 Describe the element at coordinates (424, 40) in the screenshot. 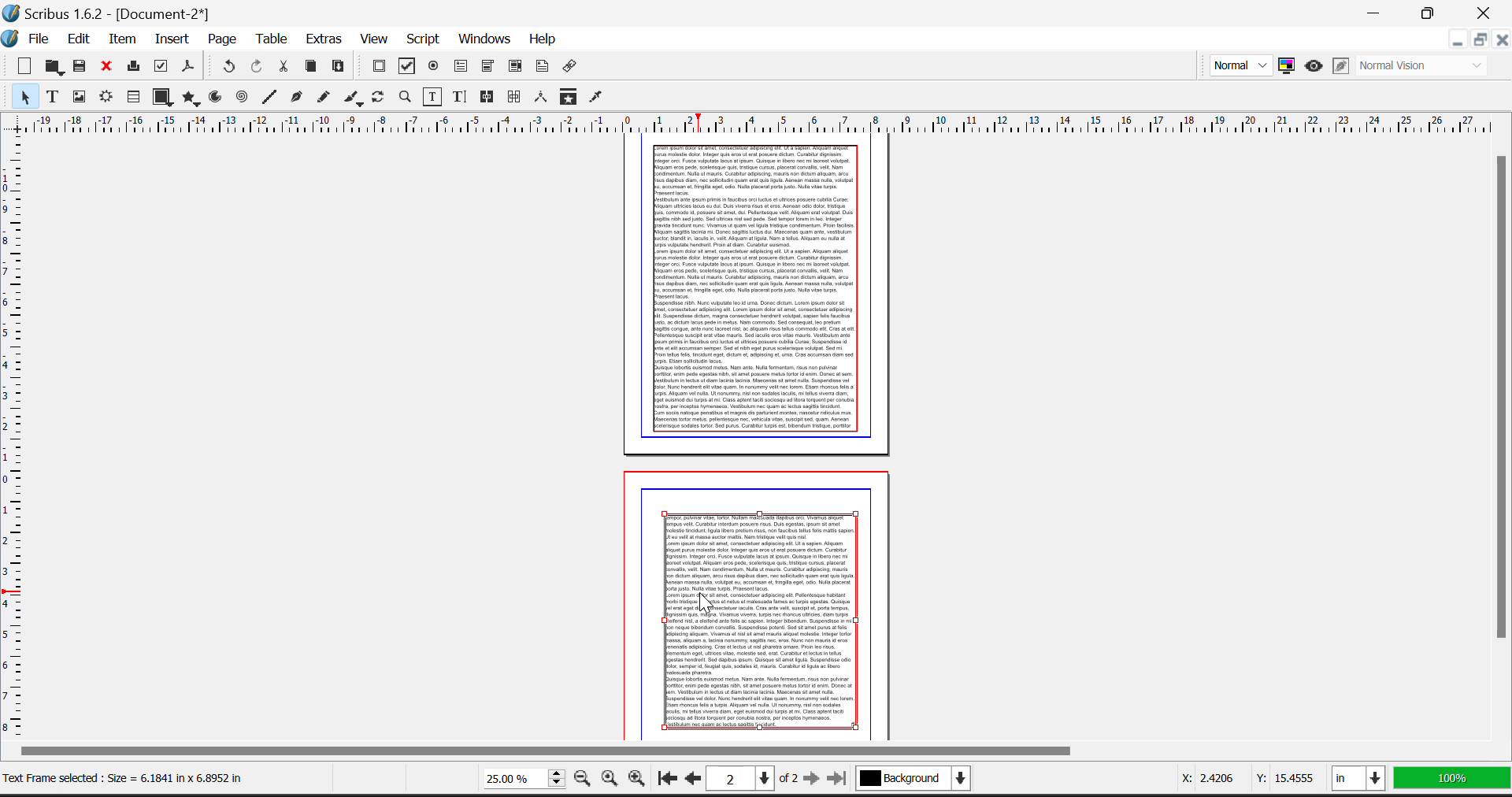

I see `Script` at that location.